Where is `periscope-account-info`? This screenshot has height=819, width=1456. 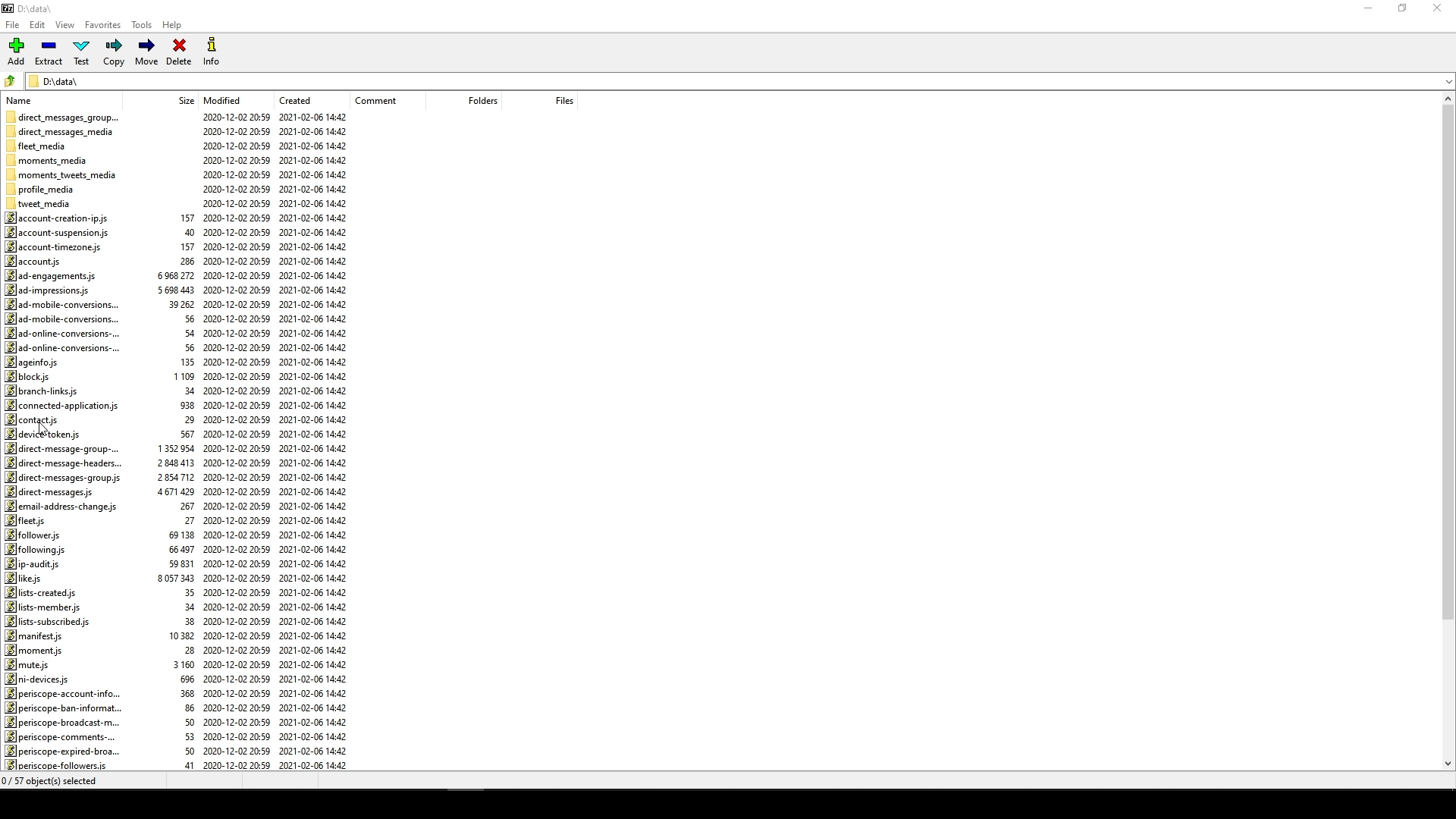 periscope-account-info is located at coordinates (67, 692).